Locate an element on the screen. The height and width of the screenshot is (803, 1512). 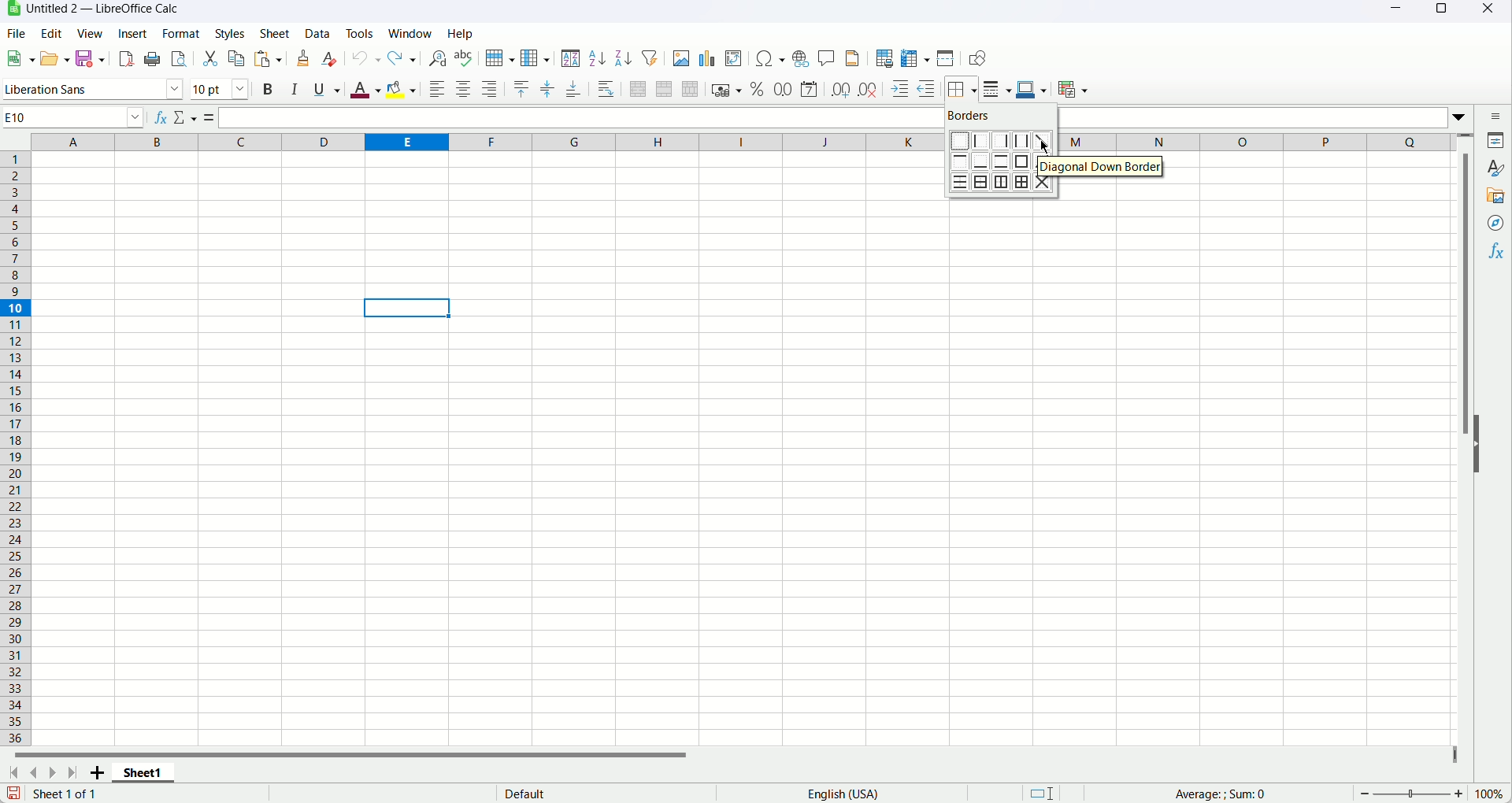
View is located at coordinates (89, 33).